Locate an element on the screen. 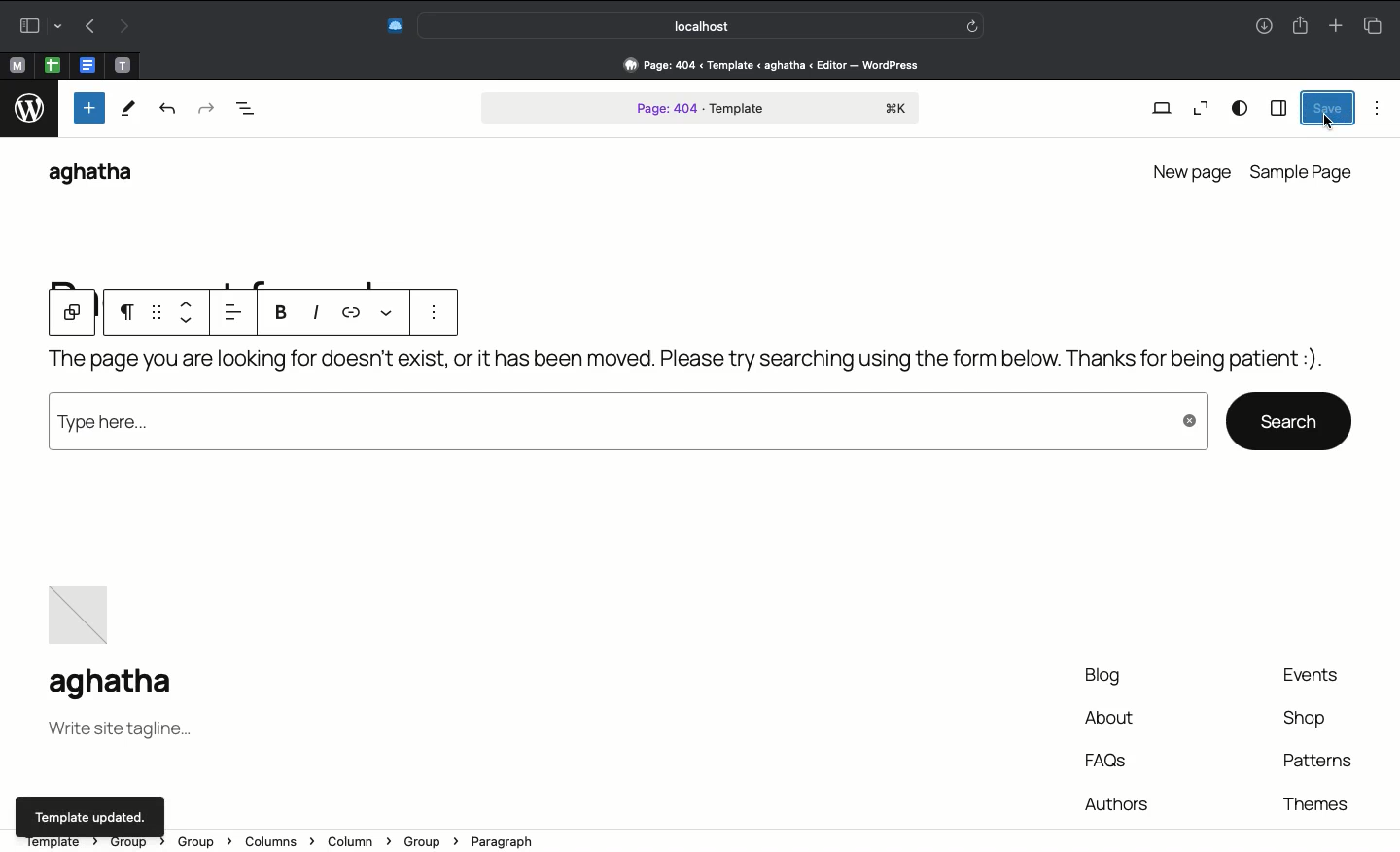 The height and width of the screenshot is (852, 1400). Options is located at coordinates (1378, 108).